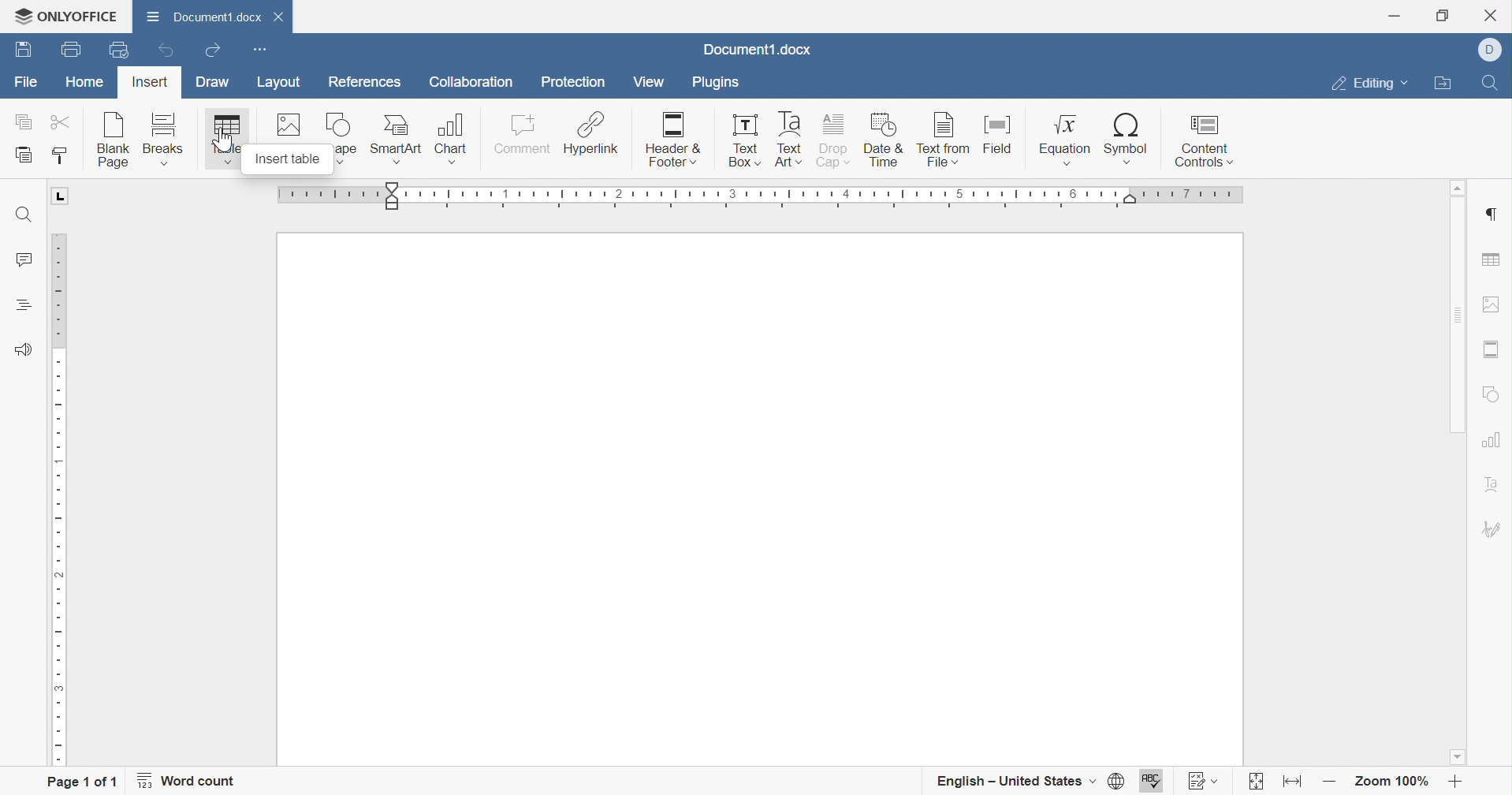 The image size is (1512, 795). What do you see at coordinates (1496, 529) in the screenshot?
I see `Signature settings` at bounding box center [1496, 529].